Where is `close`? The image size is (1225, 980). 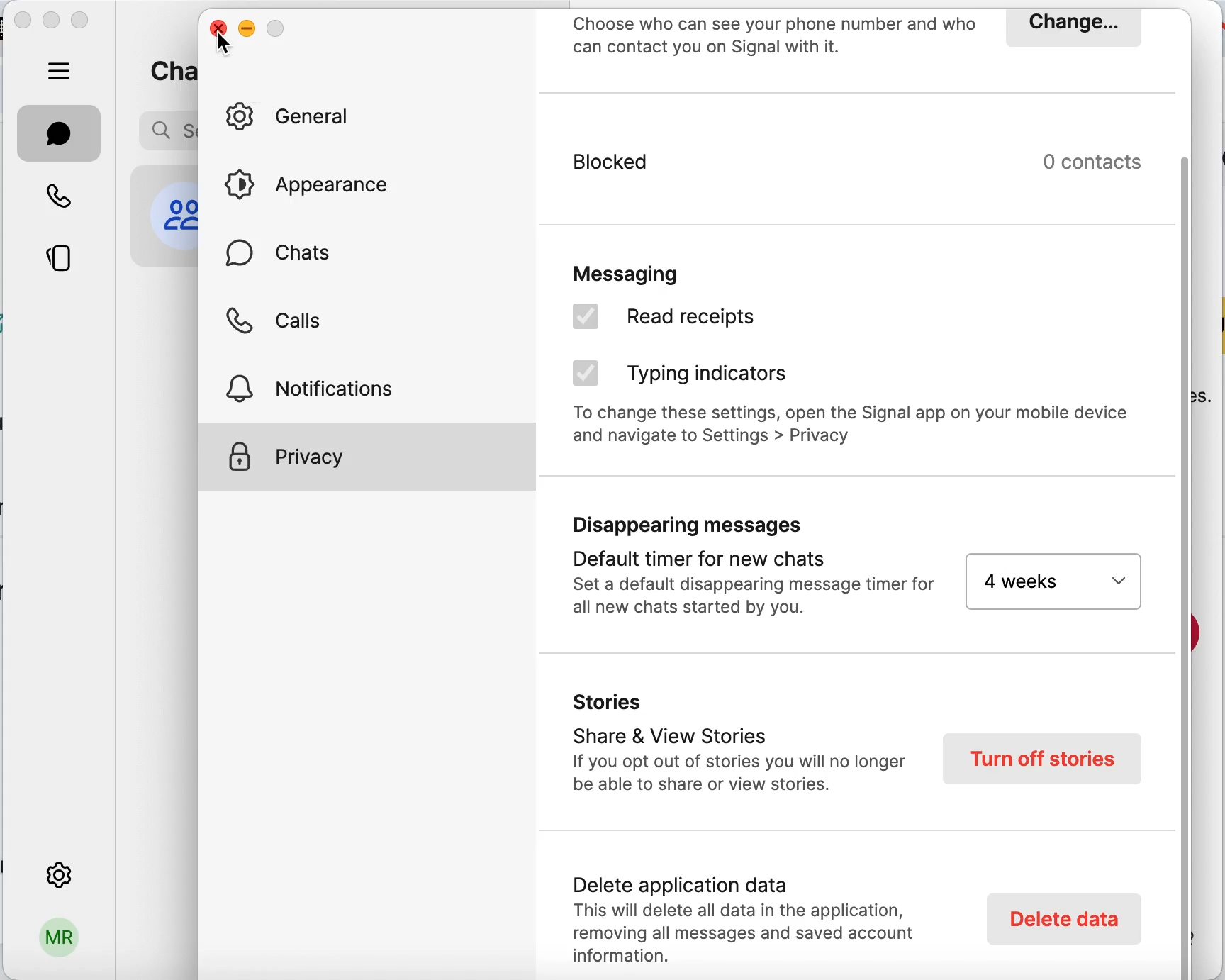 close is located at coordinates (215, 23).